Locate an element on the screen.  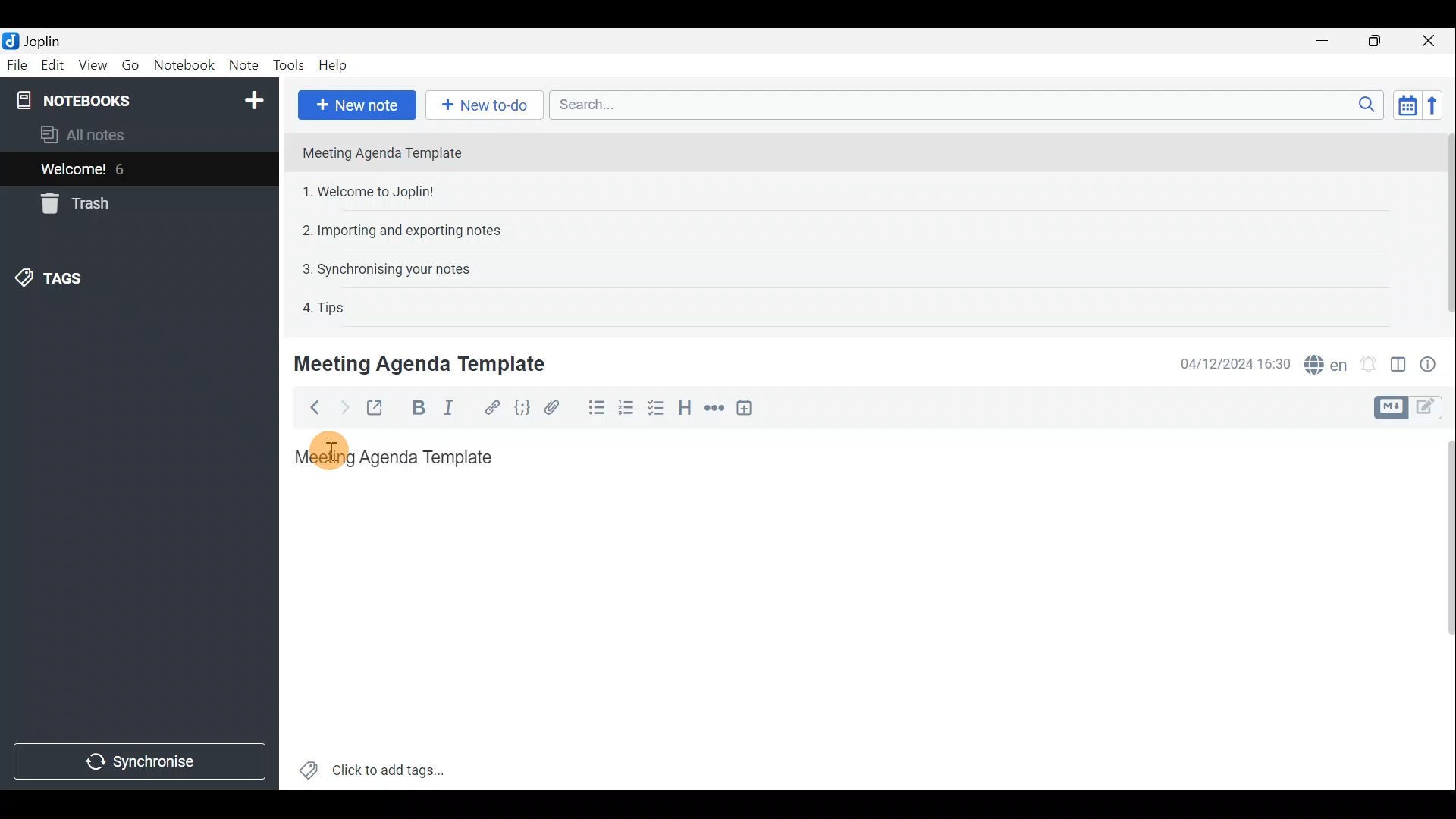
Attach file is located at coordinates (559, 408).